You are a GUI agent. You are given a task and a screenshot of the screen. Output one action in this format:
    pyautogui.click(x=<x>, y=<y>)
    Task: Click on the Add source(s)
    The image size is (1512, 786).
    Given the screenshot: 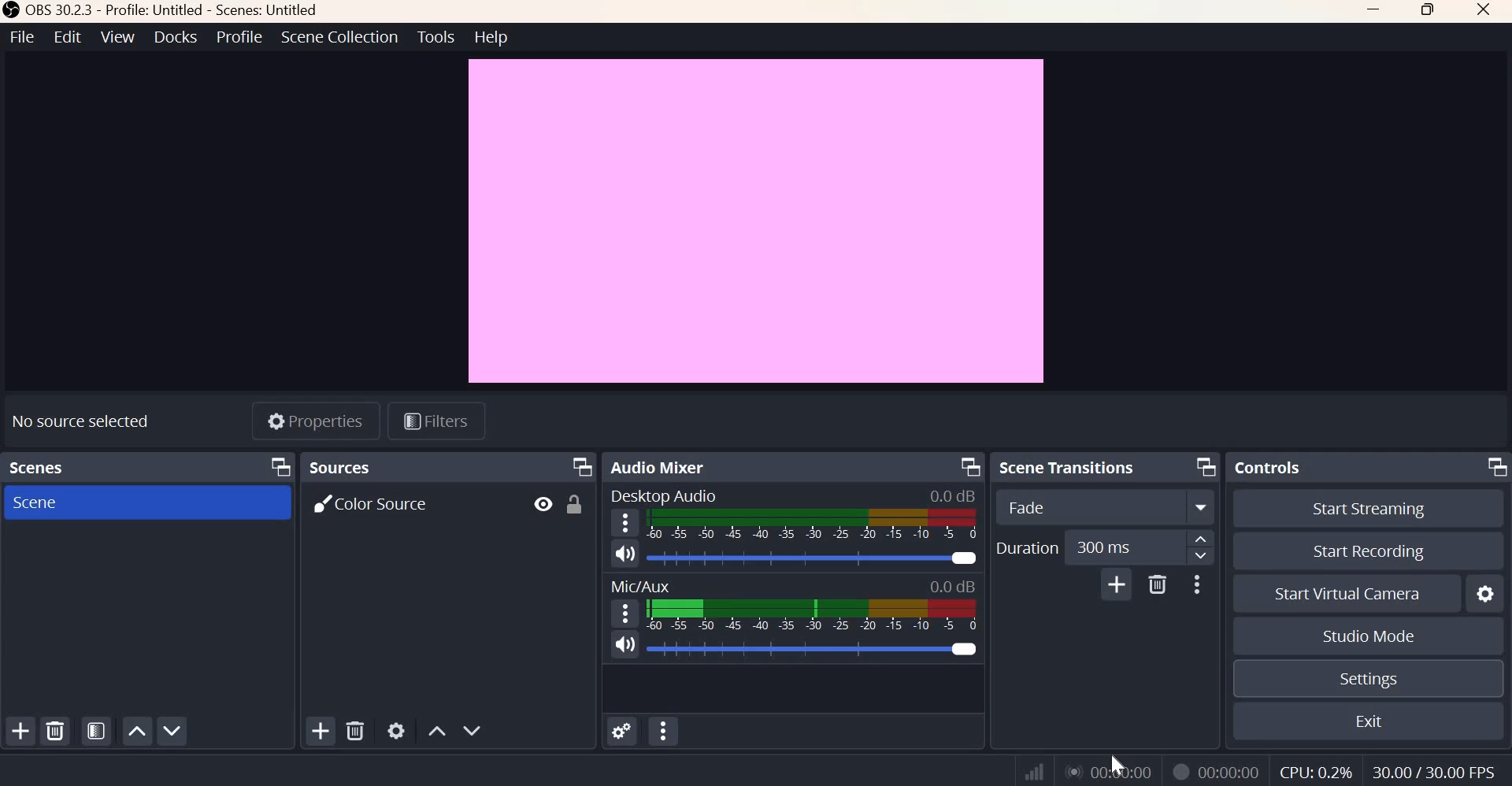 What is the action you would take?
    pyautogui.click(x=318, y=730)
    